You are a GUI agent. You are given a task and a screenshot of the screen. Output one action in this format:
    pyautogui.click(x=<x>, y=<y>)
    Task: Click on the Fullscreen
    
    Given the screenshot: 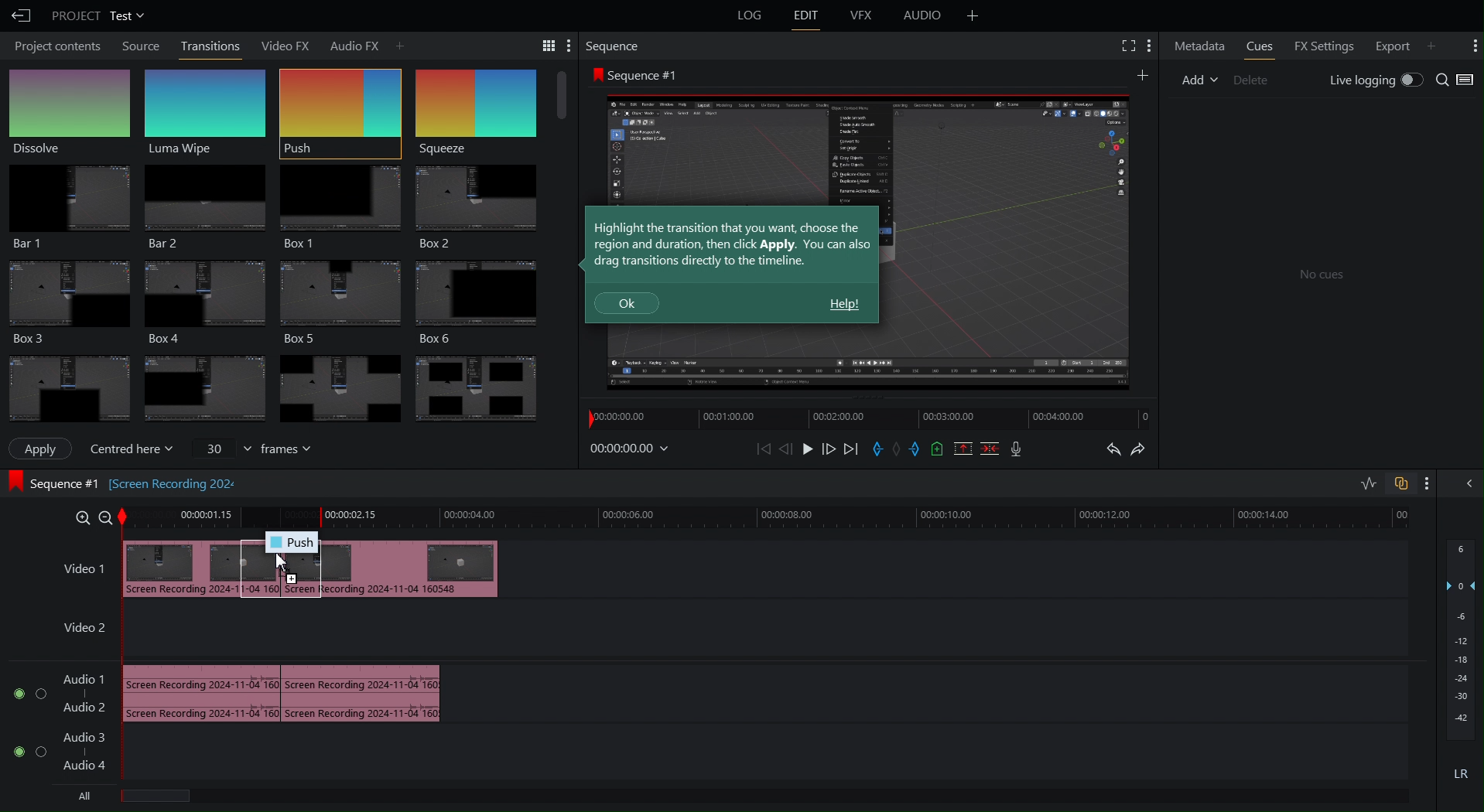 What is the action you would take?
    pyautogui.click(x=1126, y=44)
    